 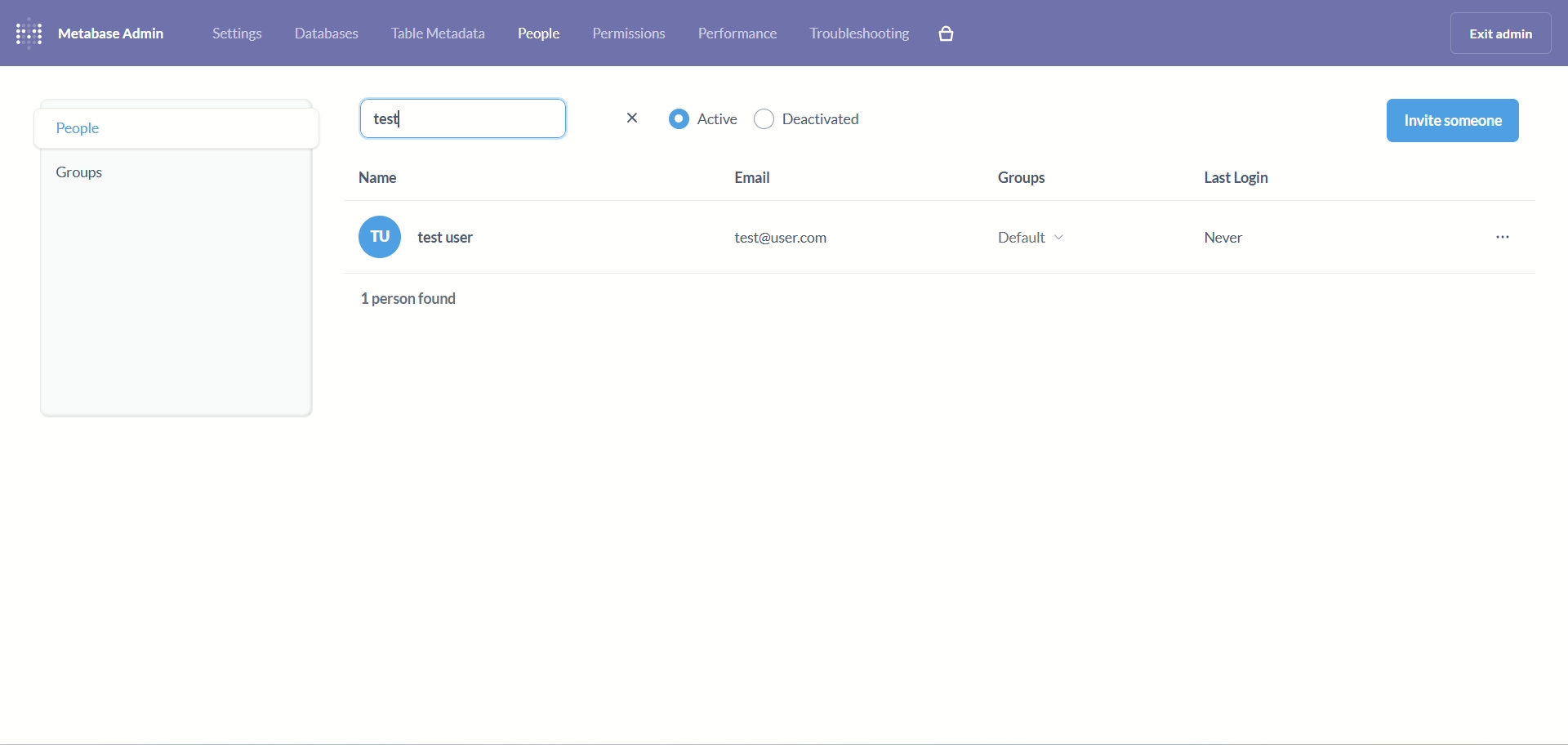 I want to click on deactivated, so click(x=815, y=123).